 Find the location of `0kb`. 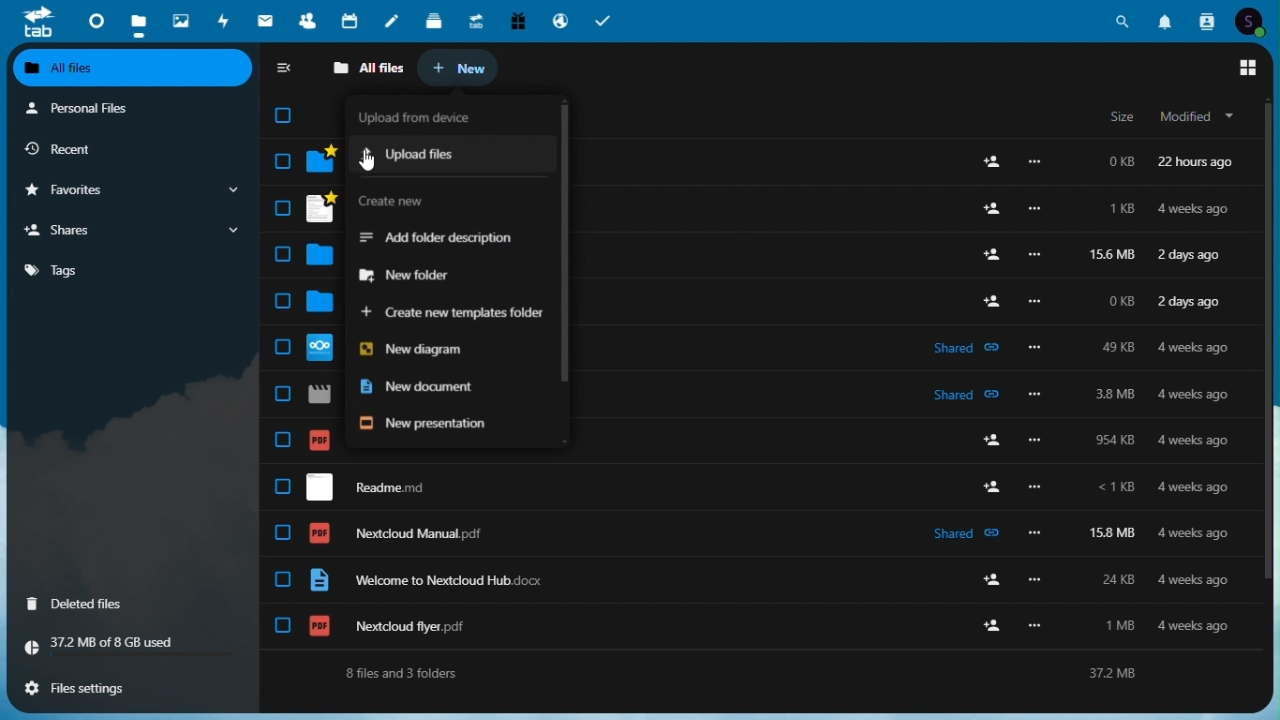

0kb is located at coordinates (1117, 161).